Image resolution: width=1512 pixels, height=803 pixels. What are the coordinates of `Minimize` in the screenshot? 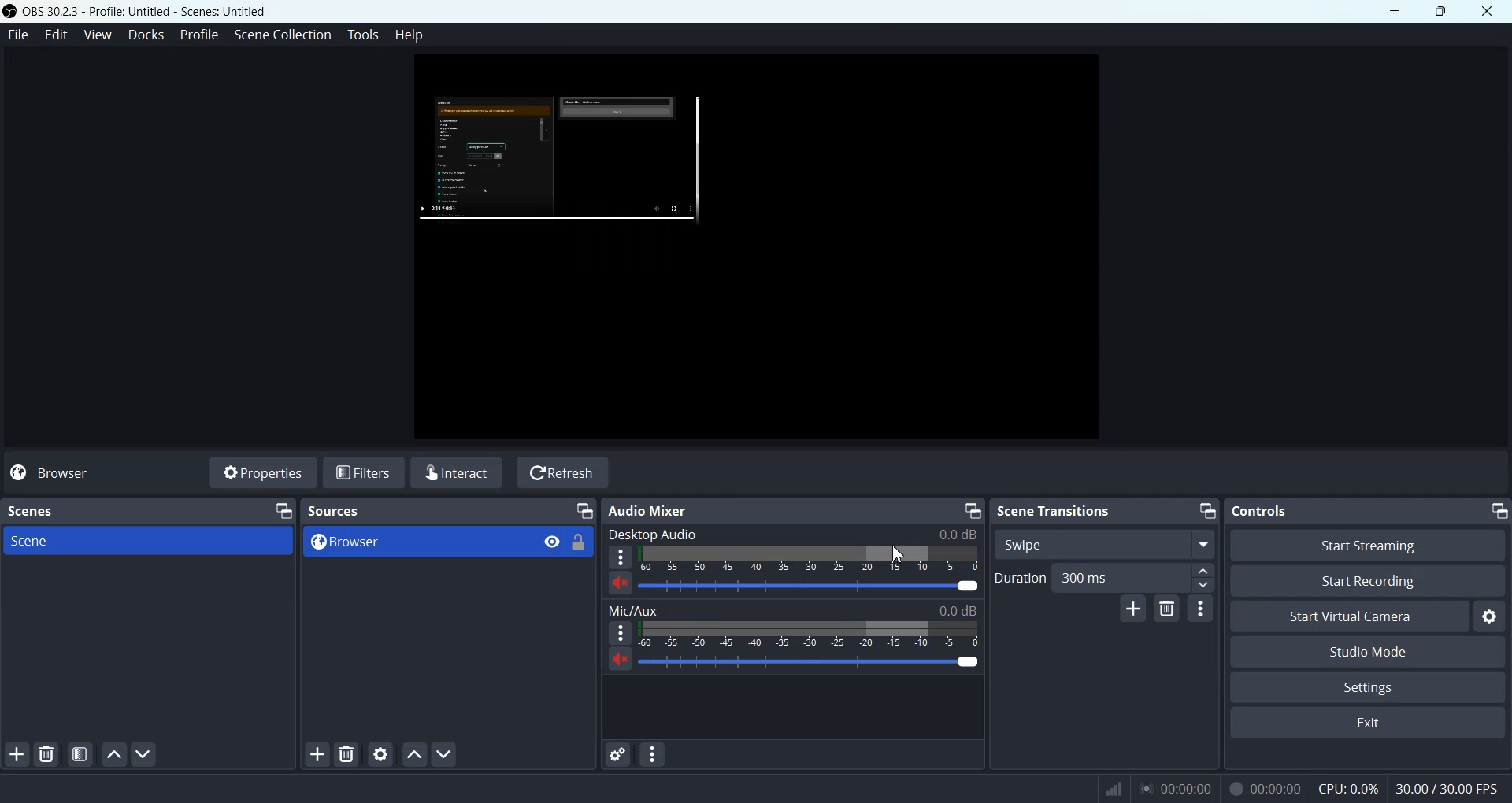 It's located at (1206, 510).